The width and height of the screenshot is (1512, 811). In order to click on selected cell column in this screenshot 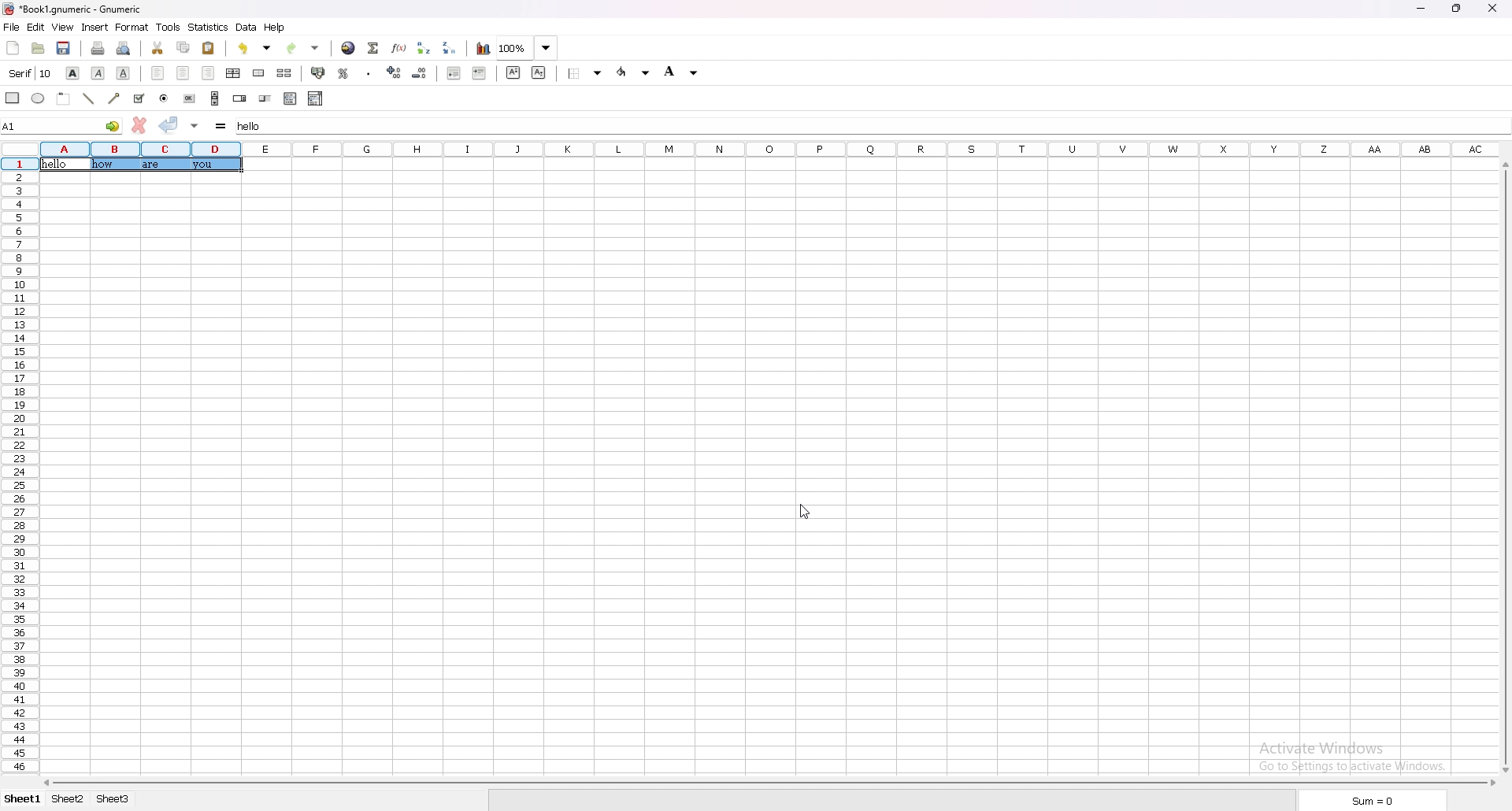, I will do `click(139, 148)`.